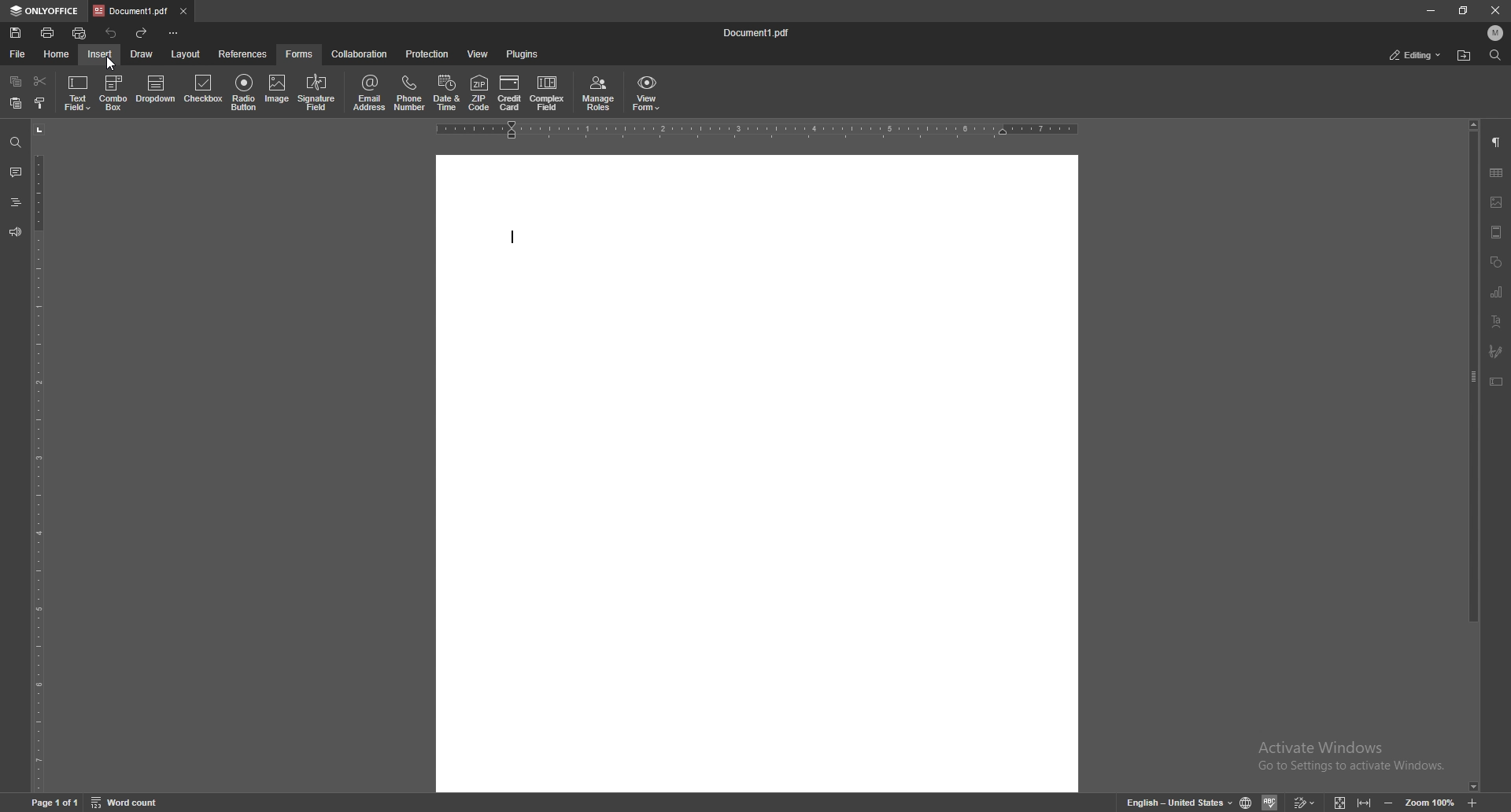 The height and width of the screenshot is (812, 1511). What do you see at coordinates (243, 54) in the screenshot?
I see `references` at bounding box center [243, 54].